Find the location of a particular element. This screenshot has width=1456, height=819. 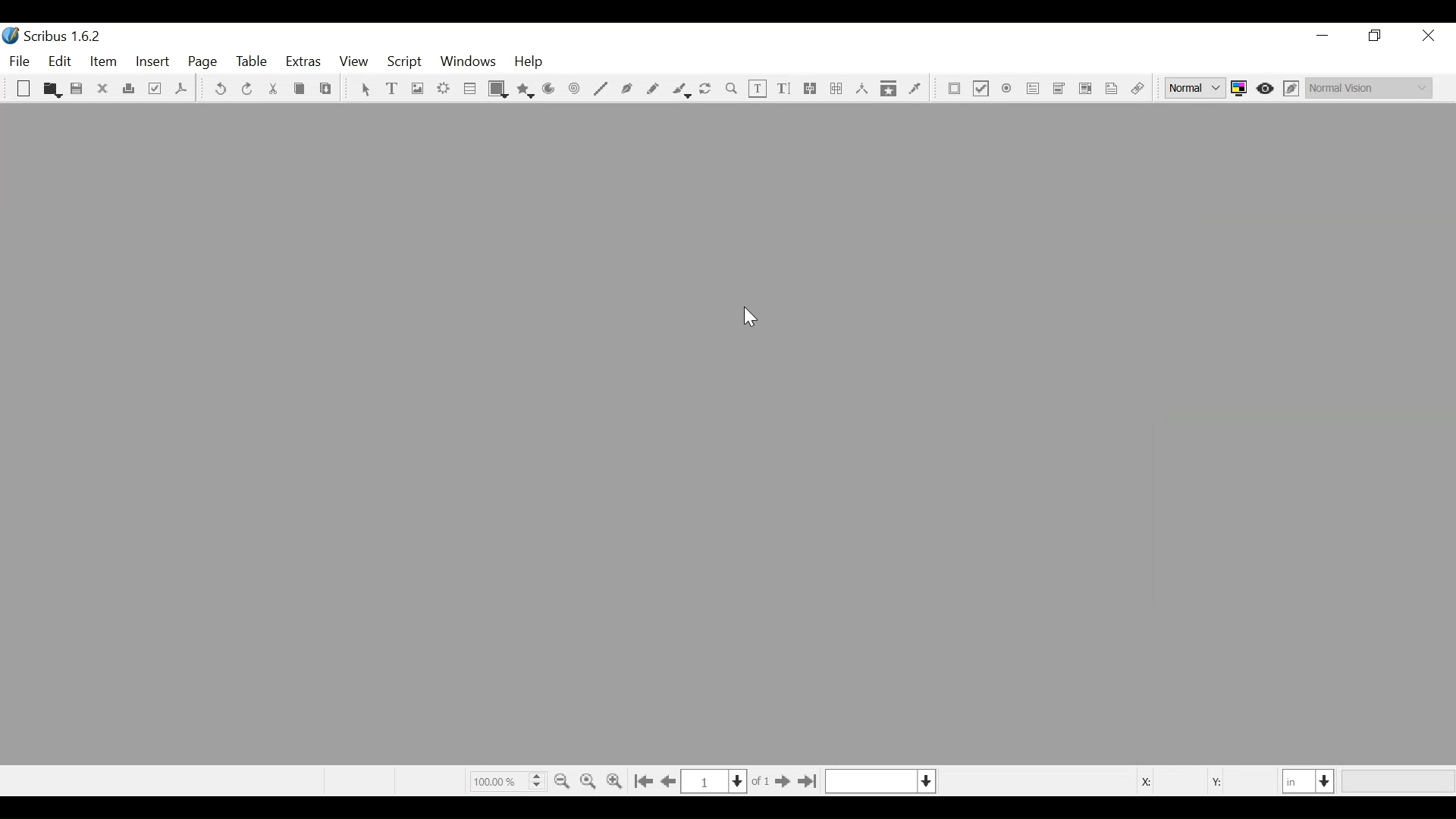

Extras is located at coordinates (303, 63).